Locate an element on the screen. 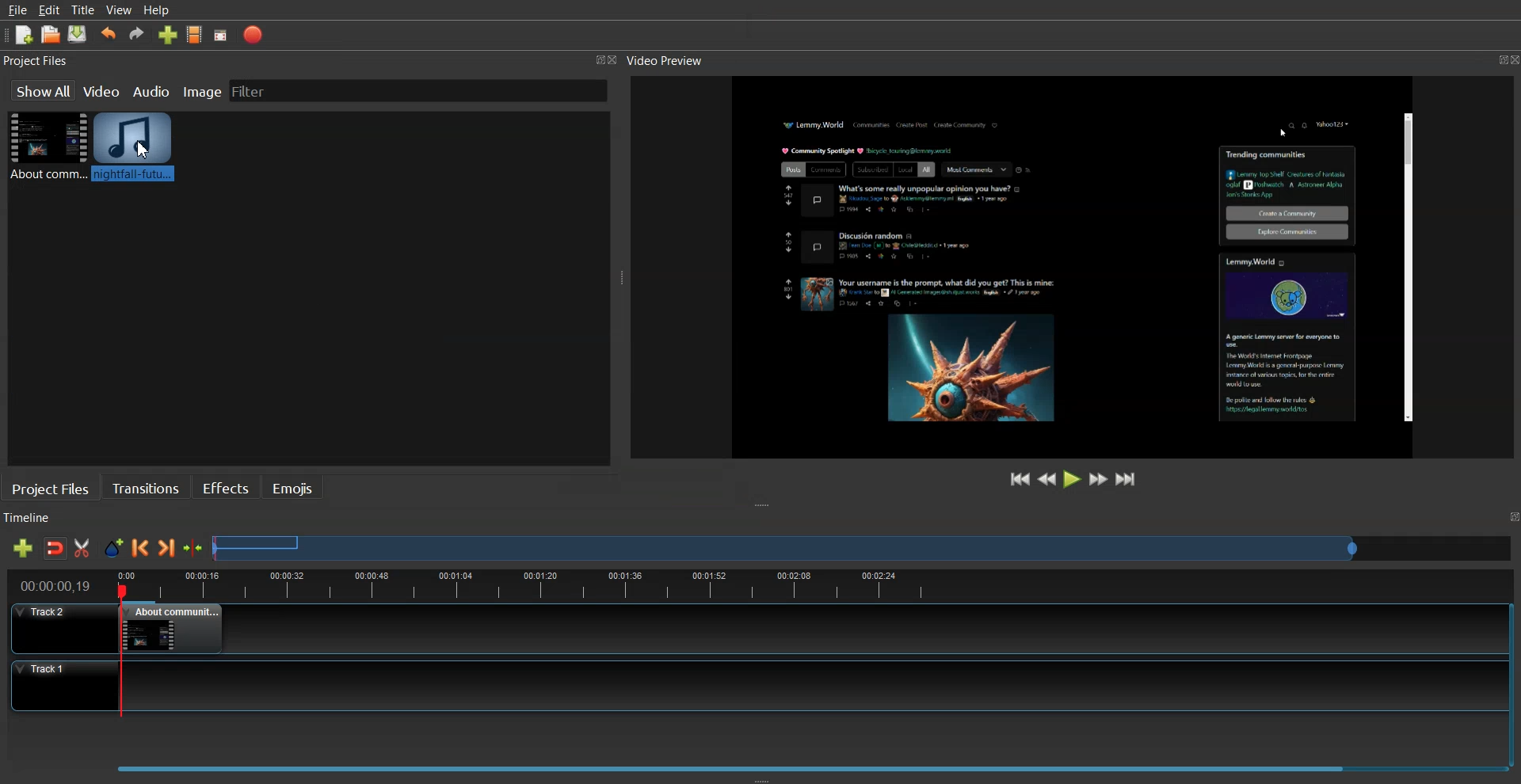 This screenshot has width=1521, height=784. Fast Forward is located at coordinates (1099, 478).